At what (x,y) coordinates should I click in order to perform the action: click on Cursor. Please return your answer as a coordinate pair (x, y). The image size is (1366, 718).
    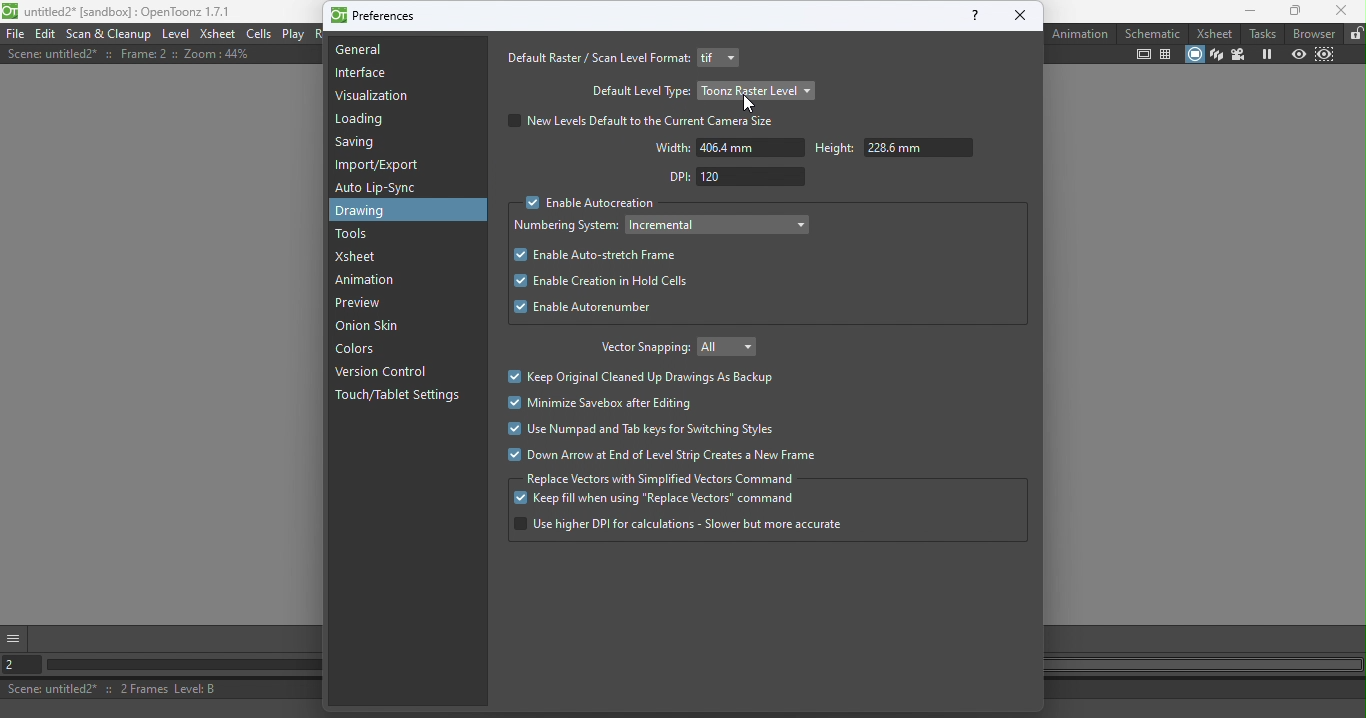
    Looking at the image, I should click on (748, 105).